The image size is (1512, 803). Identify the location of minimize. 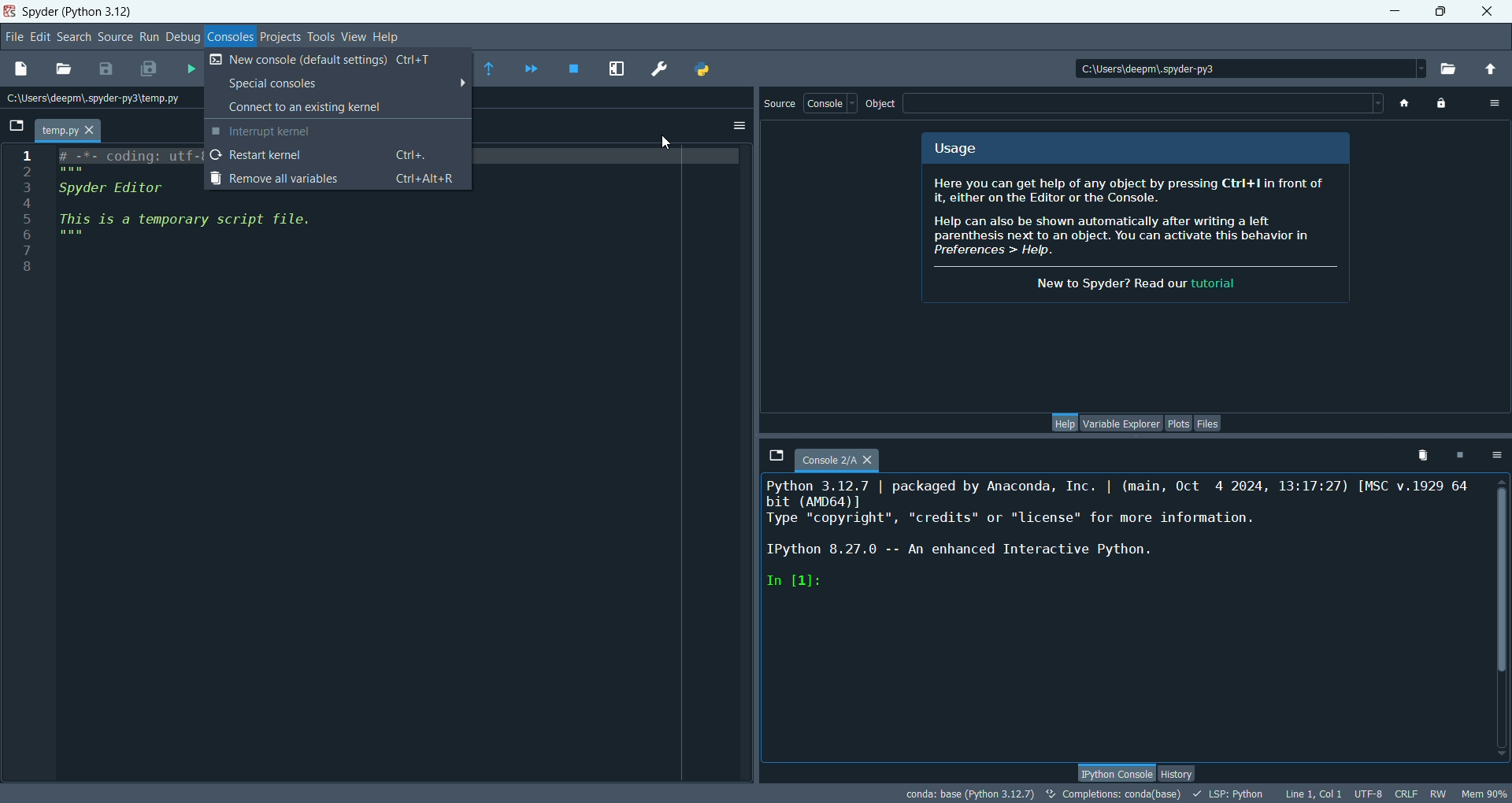
(1395, 10).